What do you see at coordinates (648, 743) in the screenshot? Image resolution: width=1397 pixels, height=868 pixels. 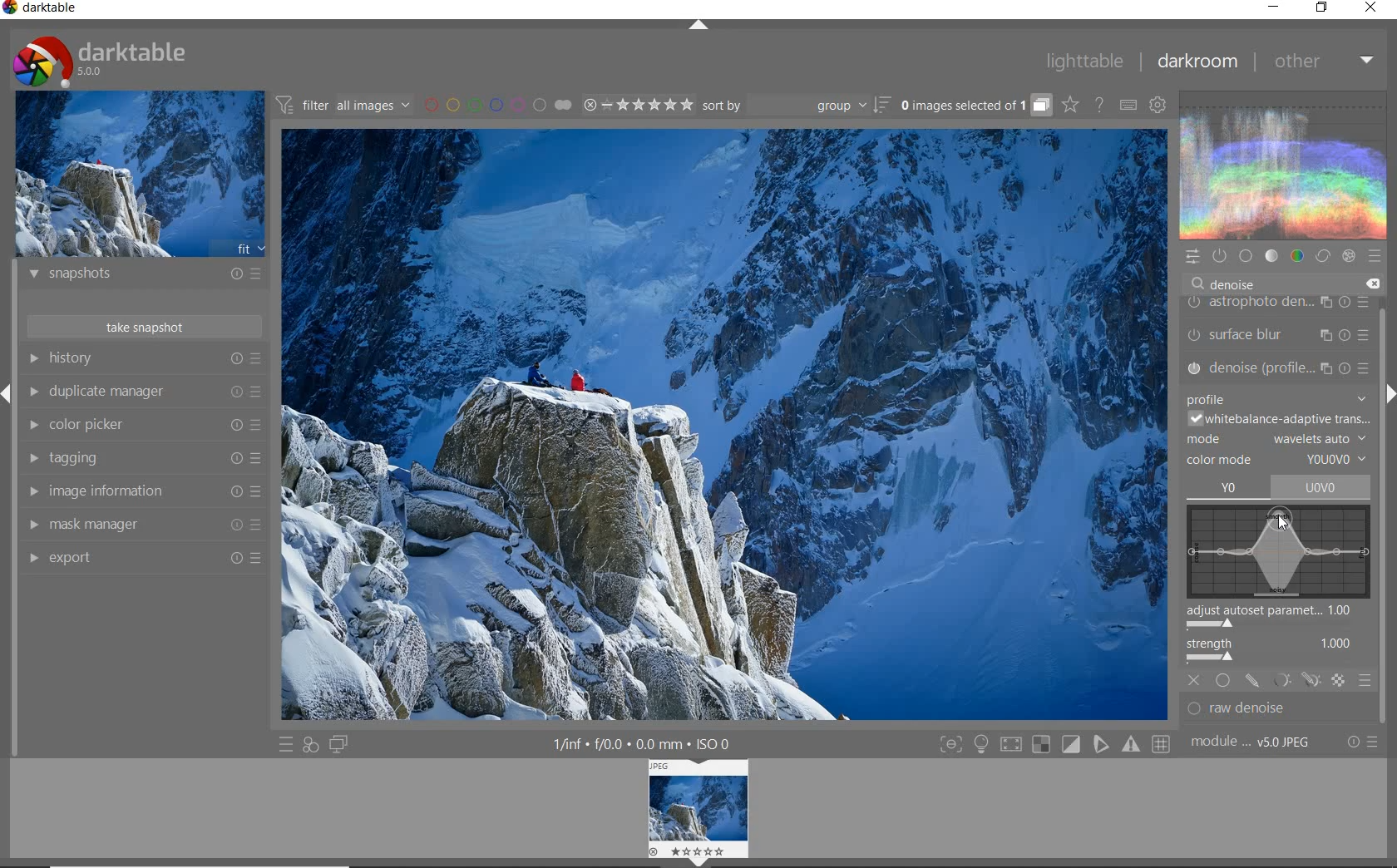 I see `1/inf*f/0.0 mm*ISO 0` at bounding box center [648, 743].